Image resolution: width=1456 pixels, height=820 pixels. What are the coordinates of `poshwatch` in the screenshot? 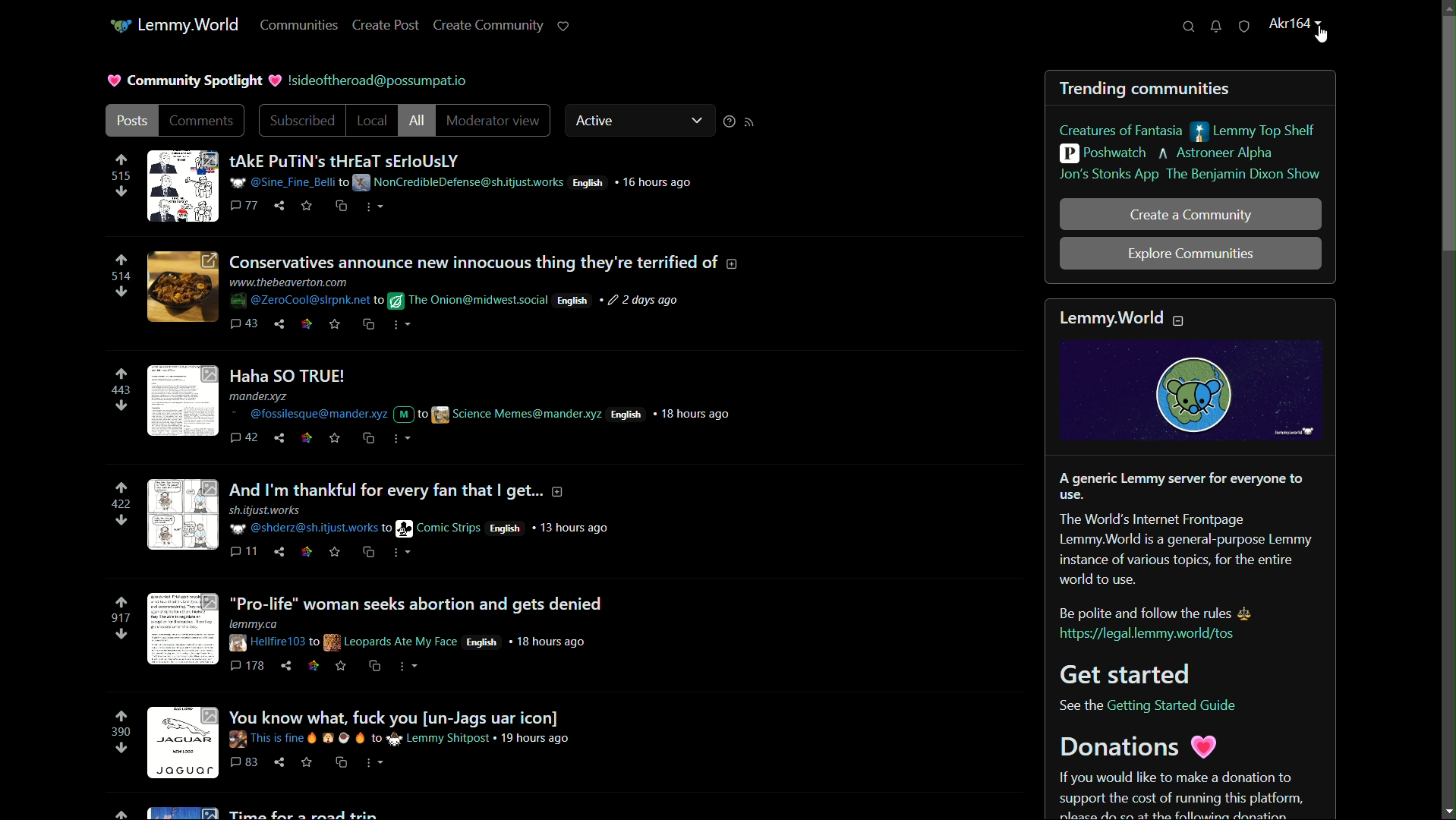 It's located at (1102, 153).